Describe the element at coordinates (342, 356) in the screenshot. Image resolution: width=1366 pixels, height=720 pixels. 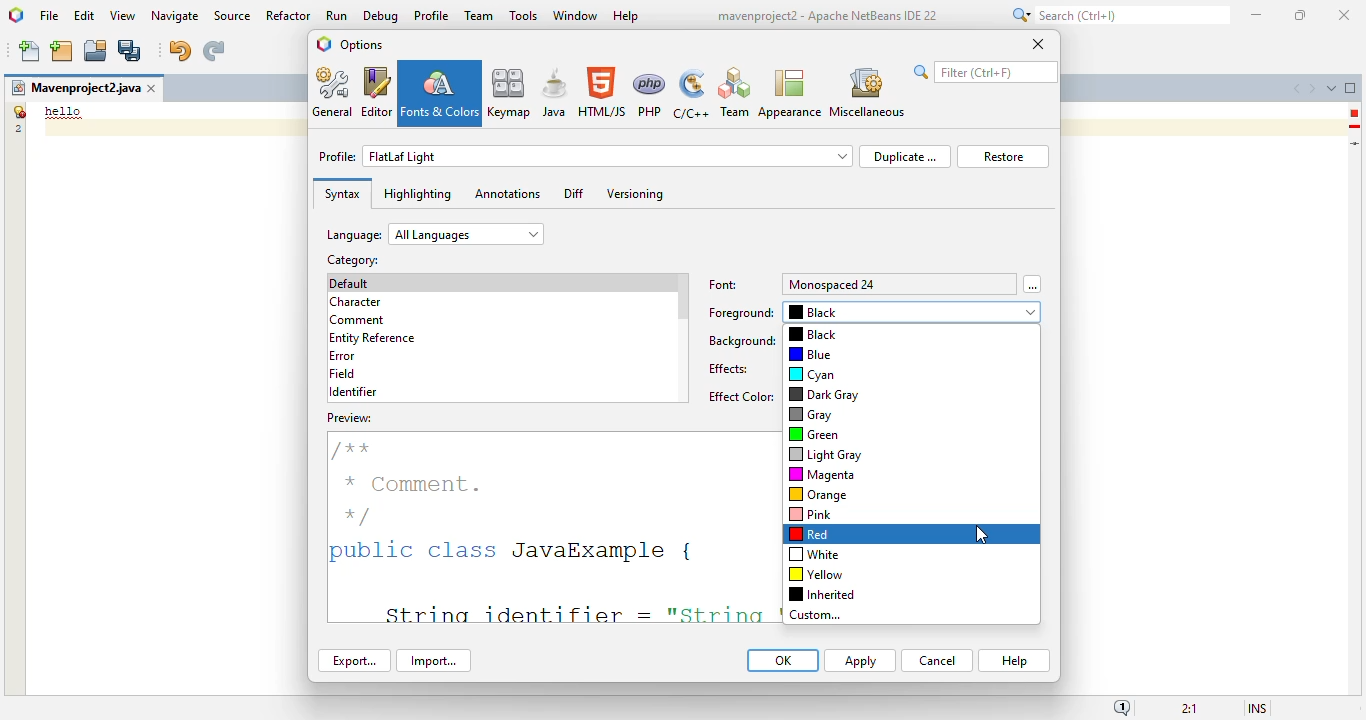
I see `error` at that location.